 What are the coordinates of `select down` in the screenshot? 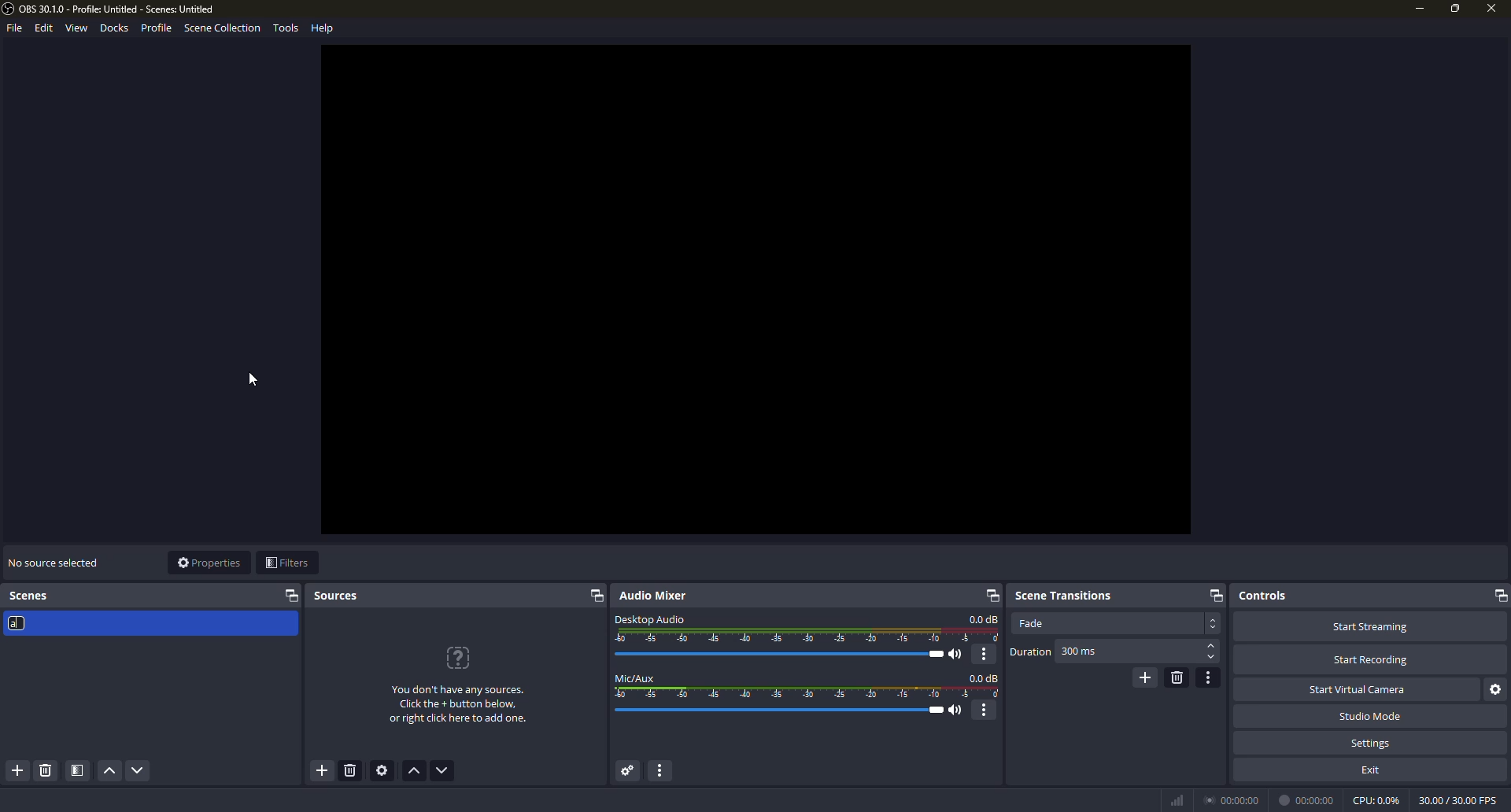 It's located at (1211, 659).